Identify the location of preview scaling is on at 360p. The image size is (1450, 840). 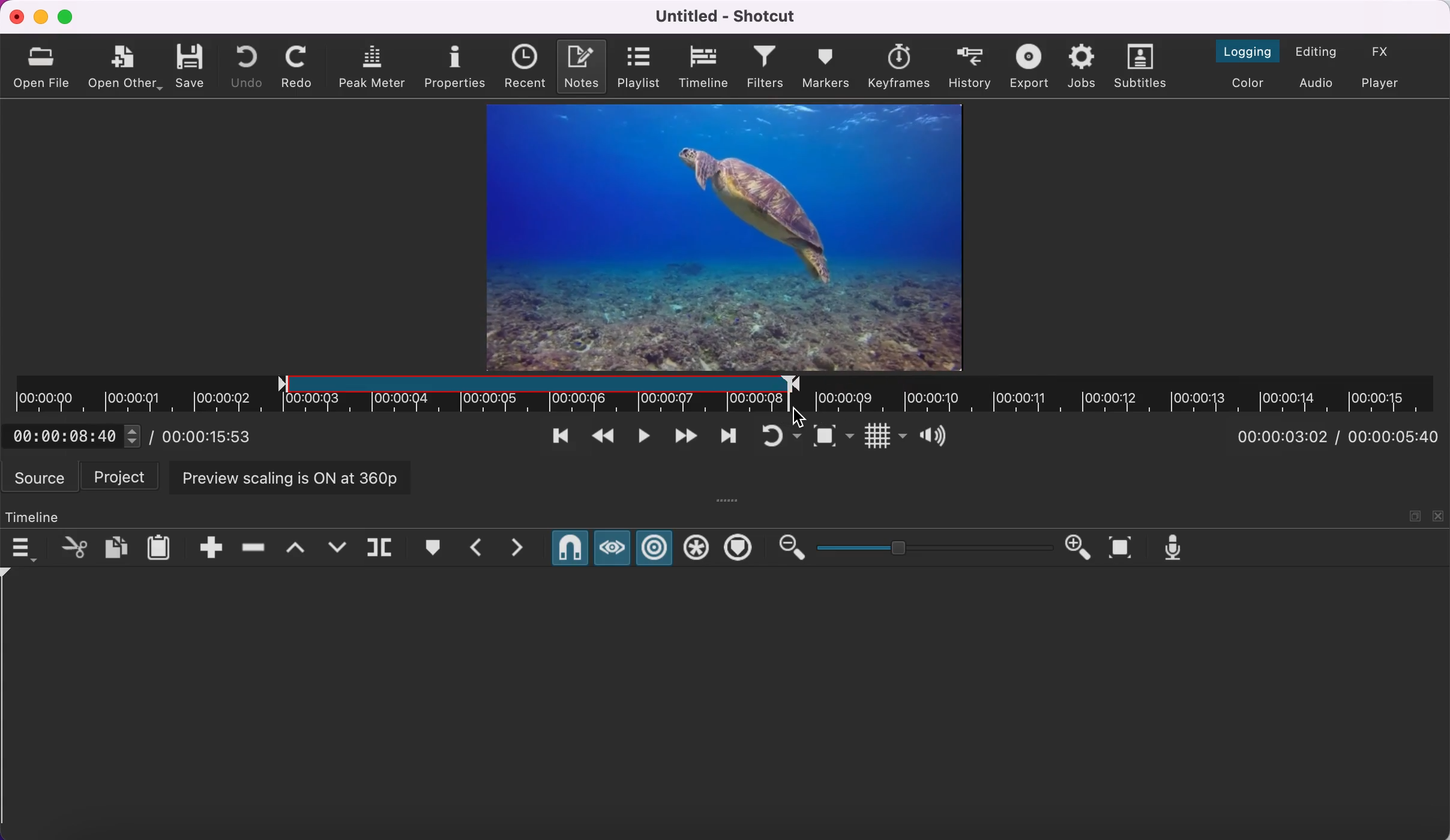
(290, 479).